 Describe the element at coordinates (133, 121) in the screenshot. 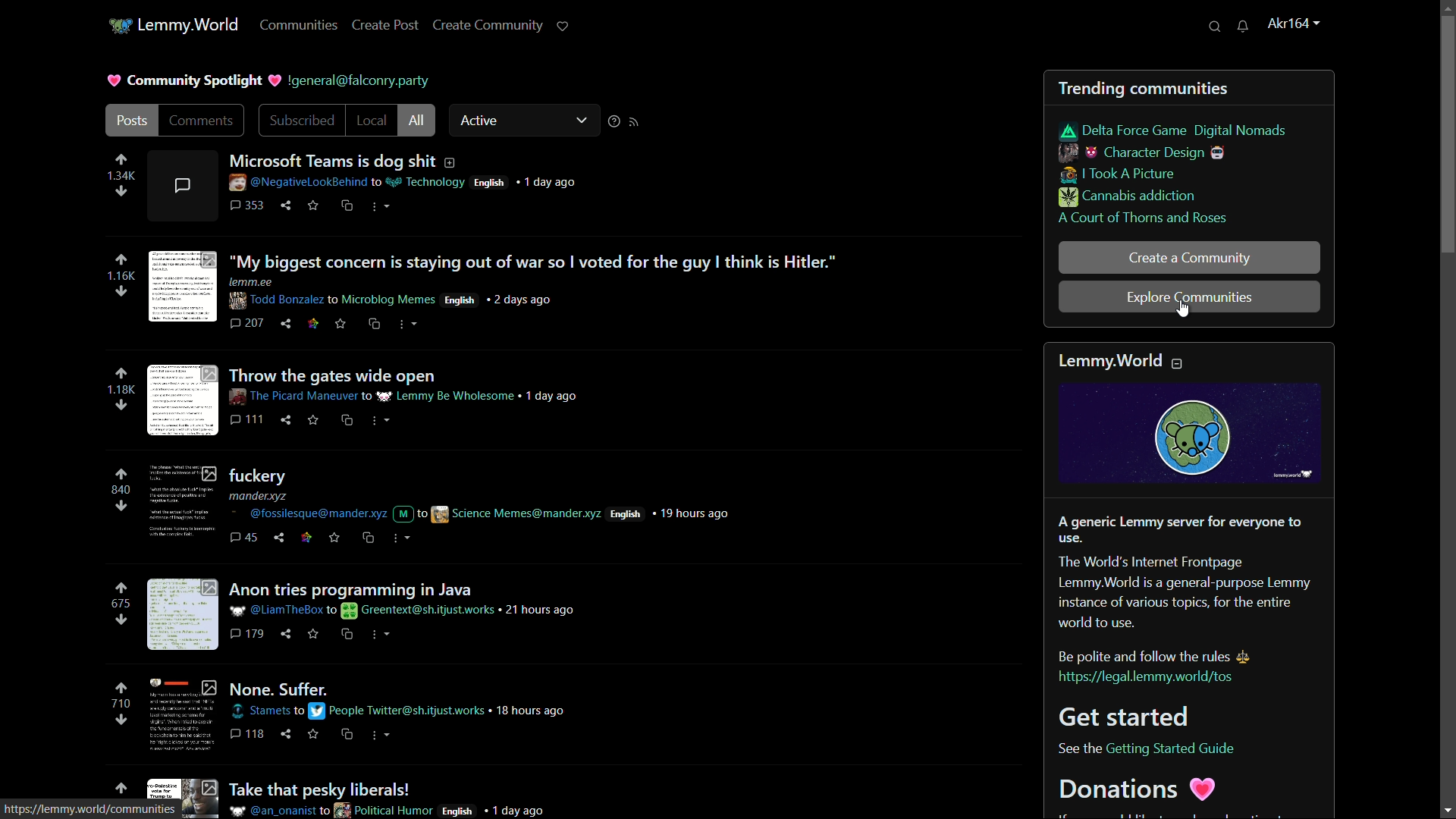

I see `posts` at that location.